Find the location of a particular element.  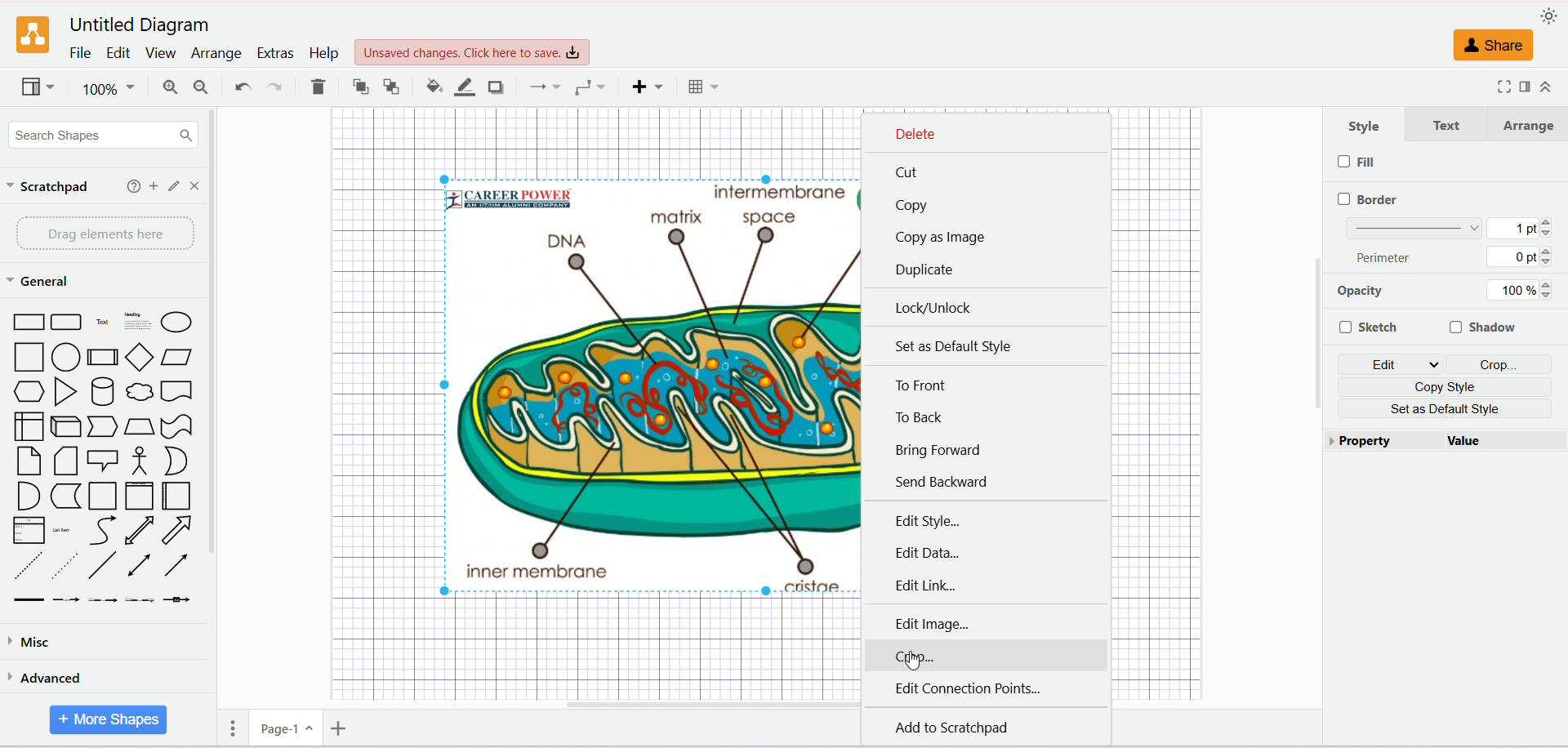

value is located at coordinates (1503, 443).